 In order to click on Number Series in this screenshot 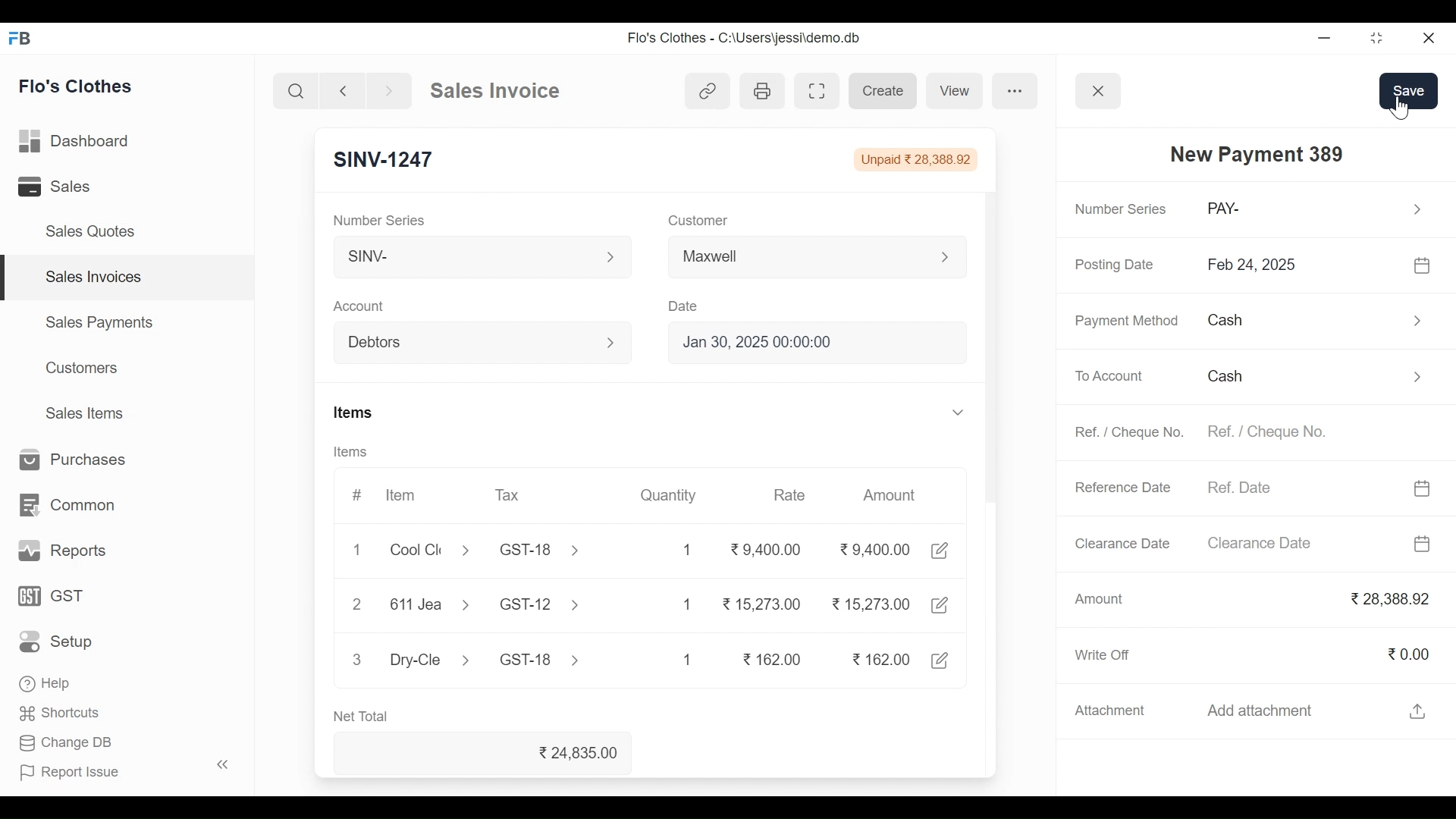, I will do `click(1122, 209)`.